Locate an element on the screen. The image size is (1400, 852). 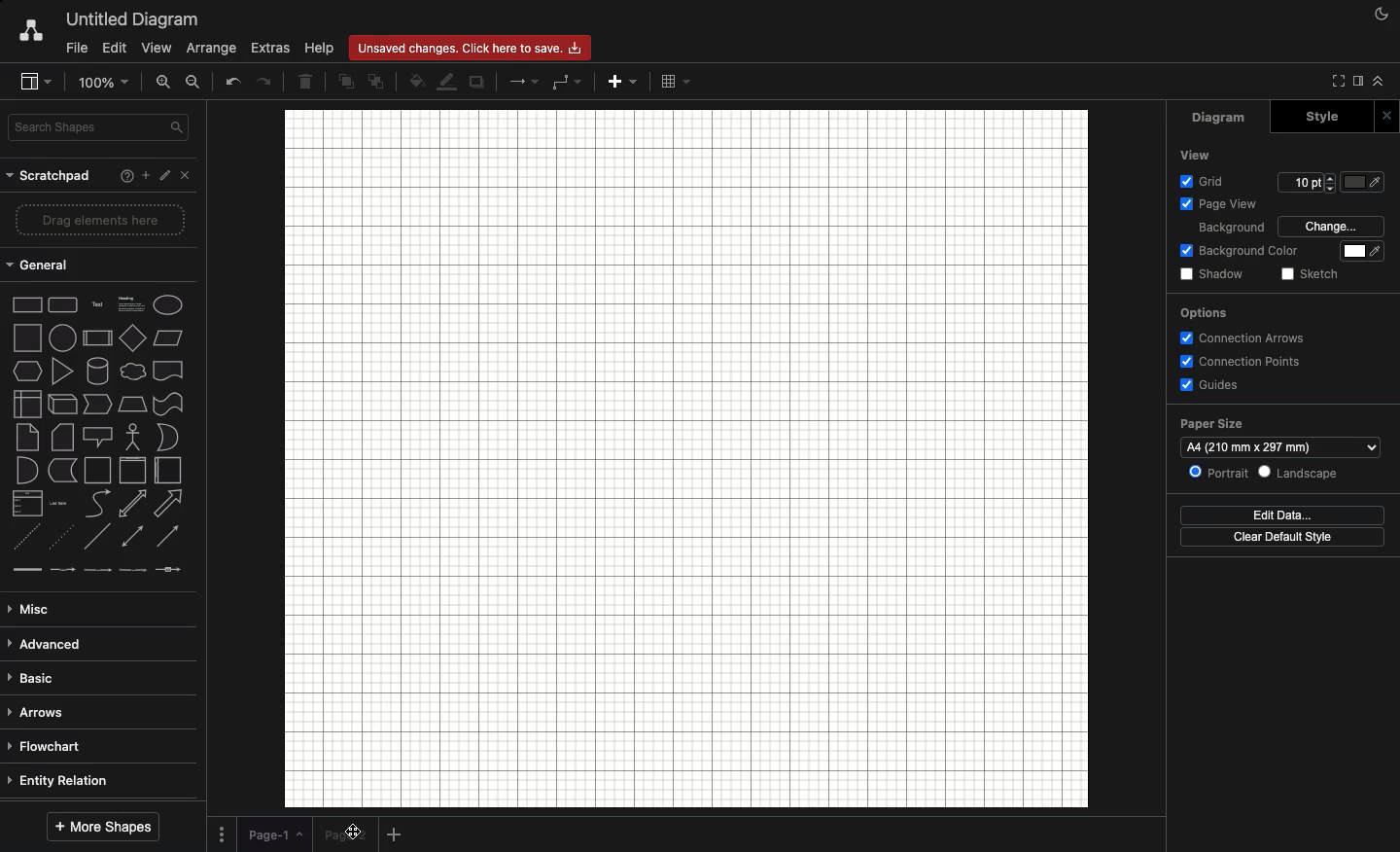
Undo is located at coordinates (232, 83).